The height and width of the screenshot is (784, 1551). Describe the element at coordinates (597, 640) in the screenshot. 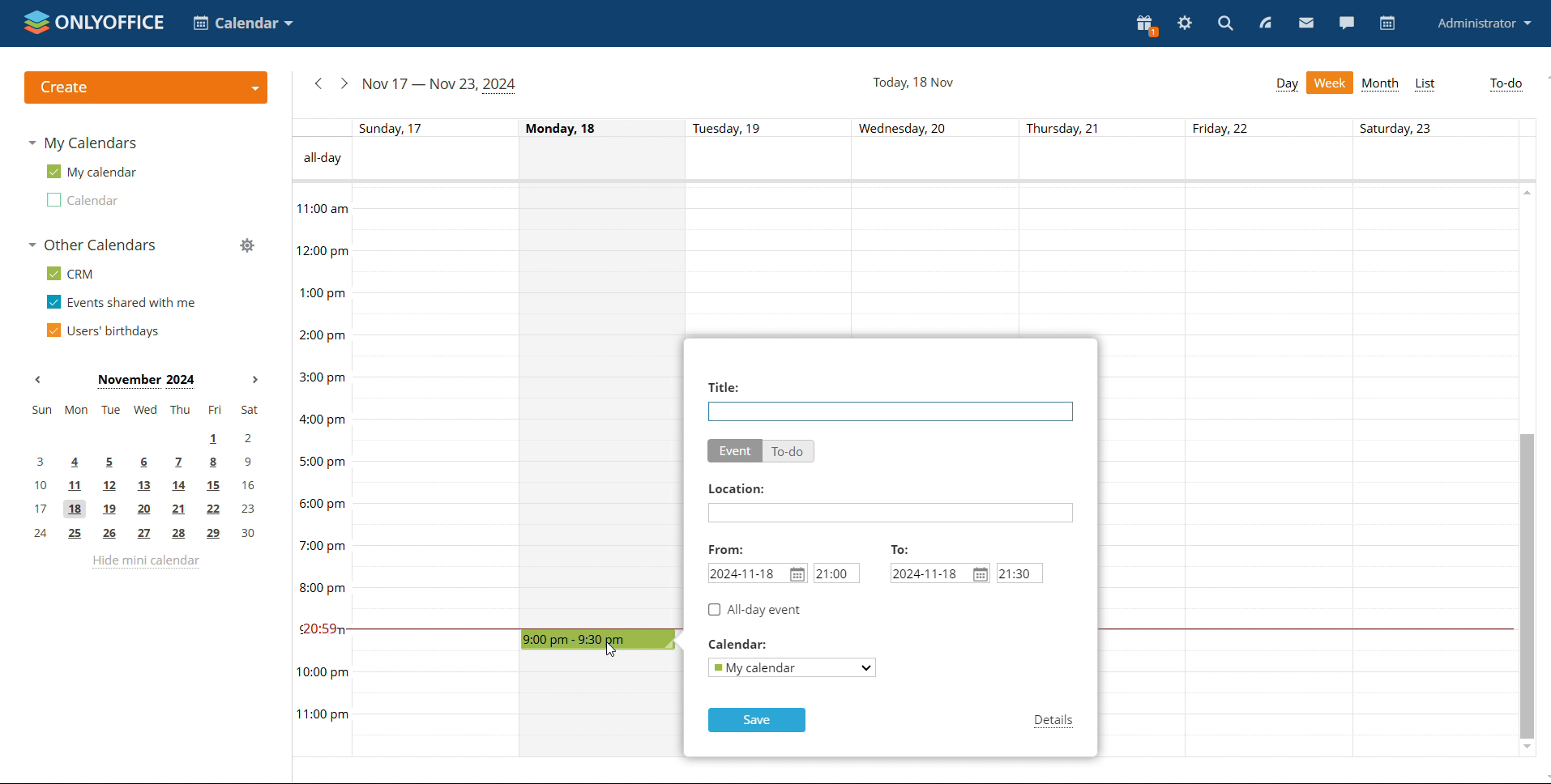

I see `30 minute time block selected` at that location.